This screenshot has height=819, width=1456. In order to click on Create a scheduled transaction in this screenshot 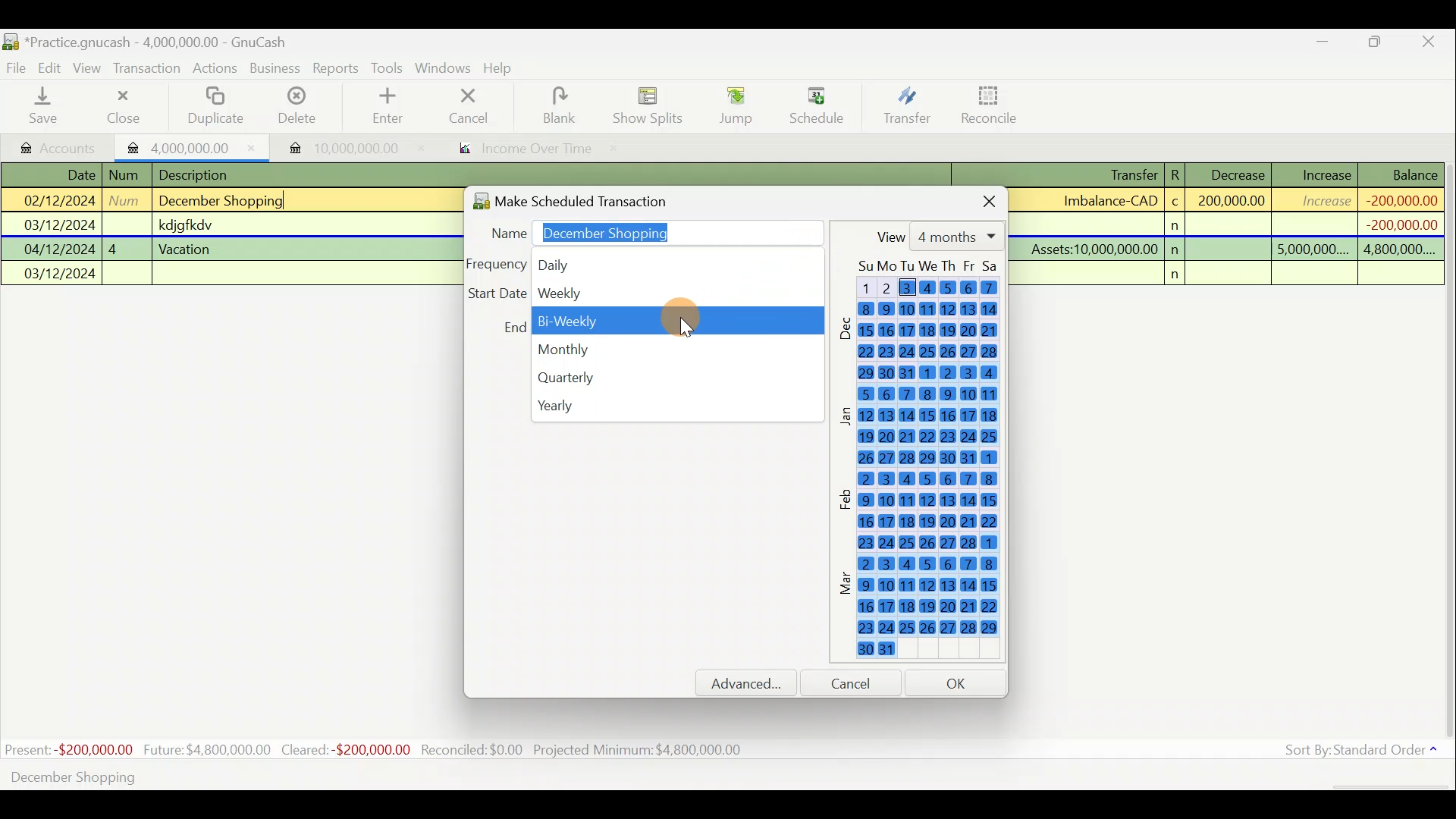, I will do `click(461, 776)`.